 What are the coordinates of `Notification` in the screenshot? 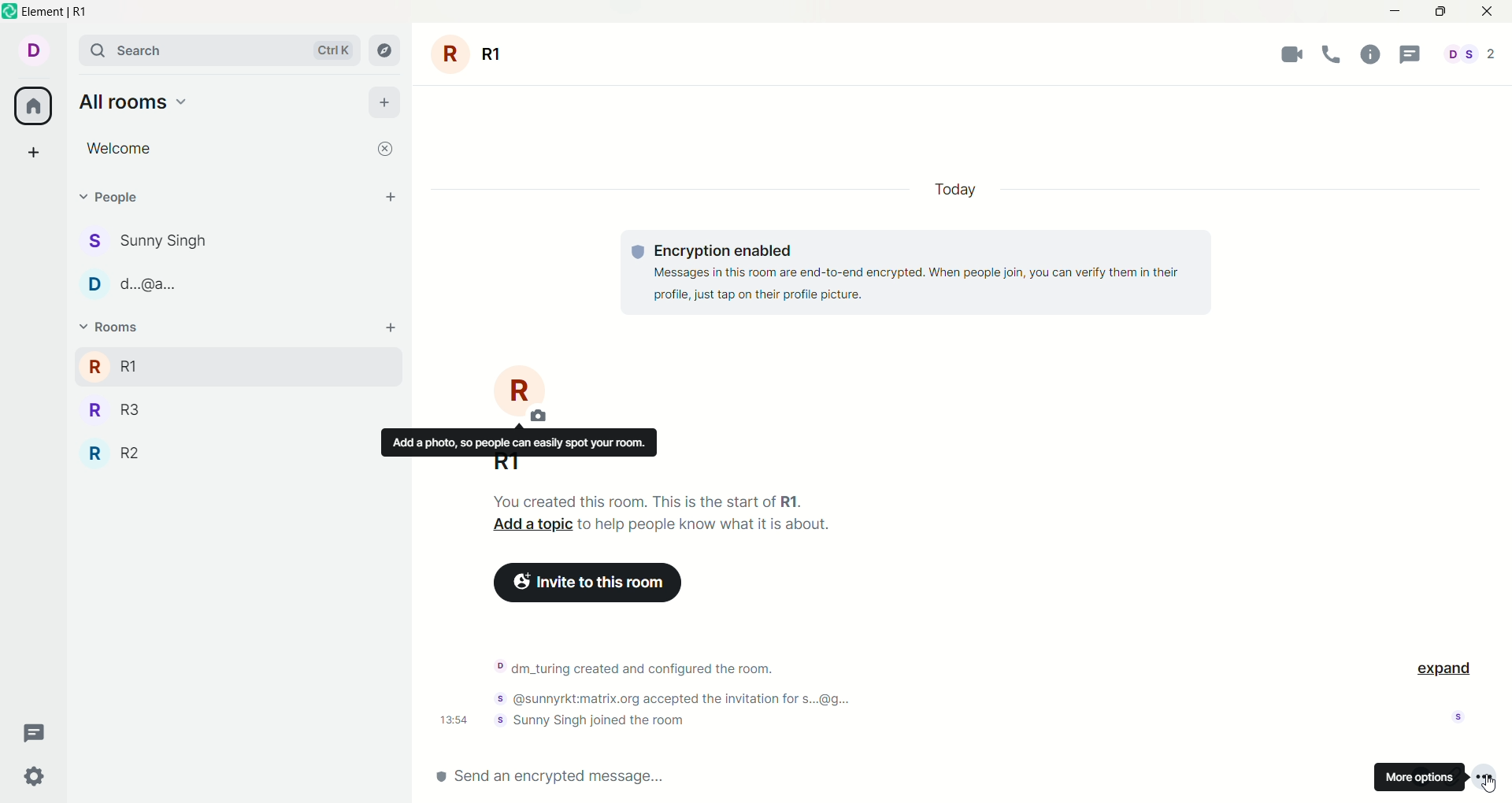 It's located at (680, 698).